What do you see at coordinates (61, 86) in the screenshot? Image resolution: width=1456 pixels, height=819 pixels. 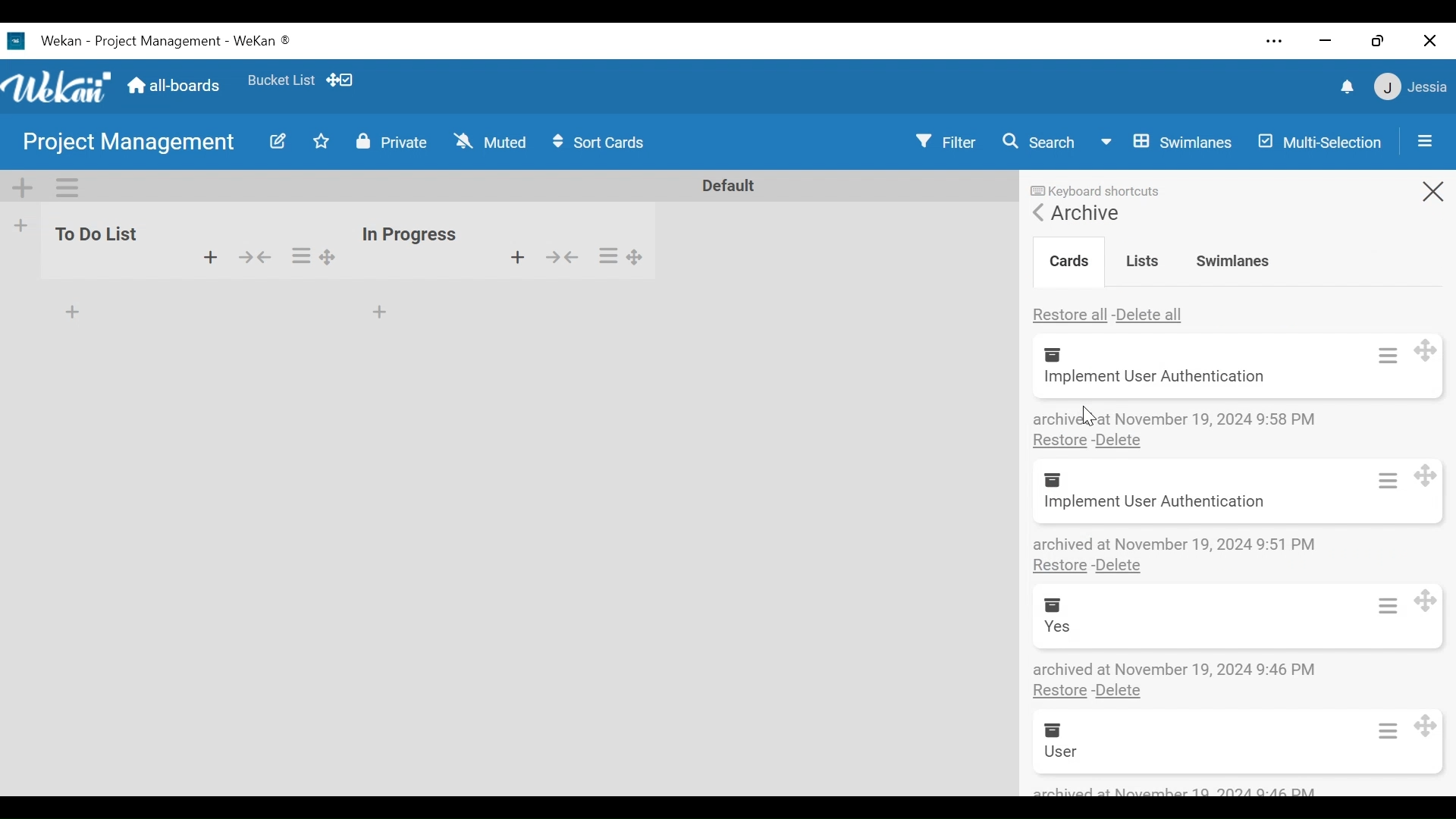 I see `Wekan Icon` at bounding box center [61, 86].